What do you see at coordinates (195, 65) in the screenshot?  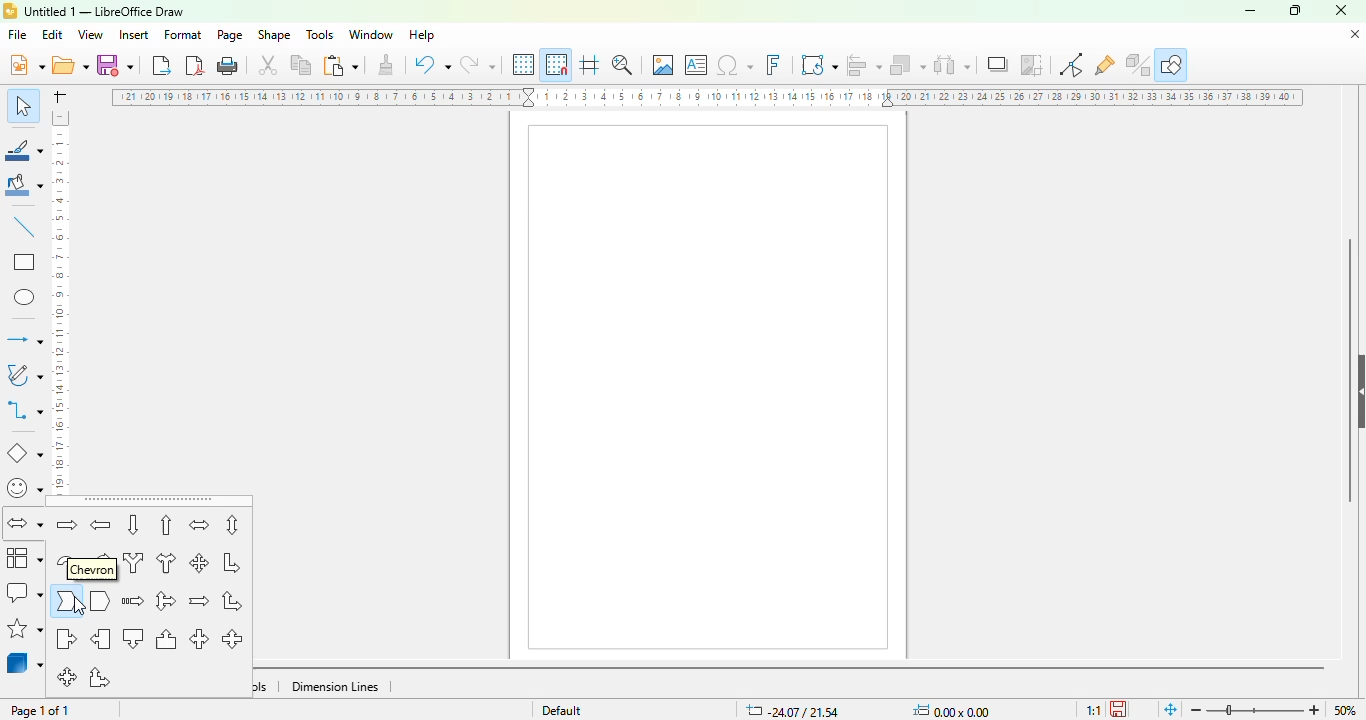 I see `export directly as PDF` at bounding box center [195, 65].